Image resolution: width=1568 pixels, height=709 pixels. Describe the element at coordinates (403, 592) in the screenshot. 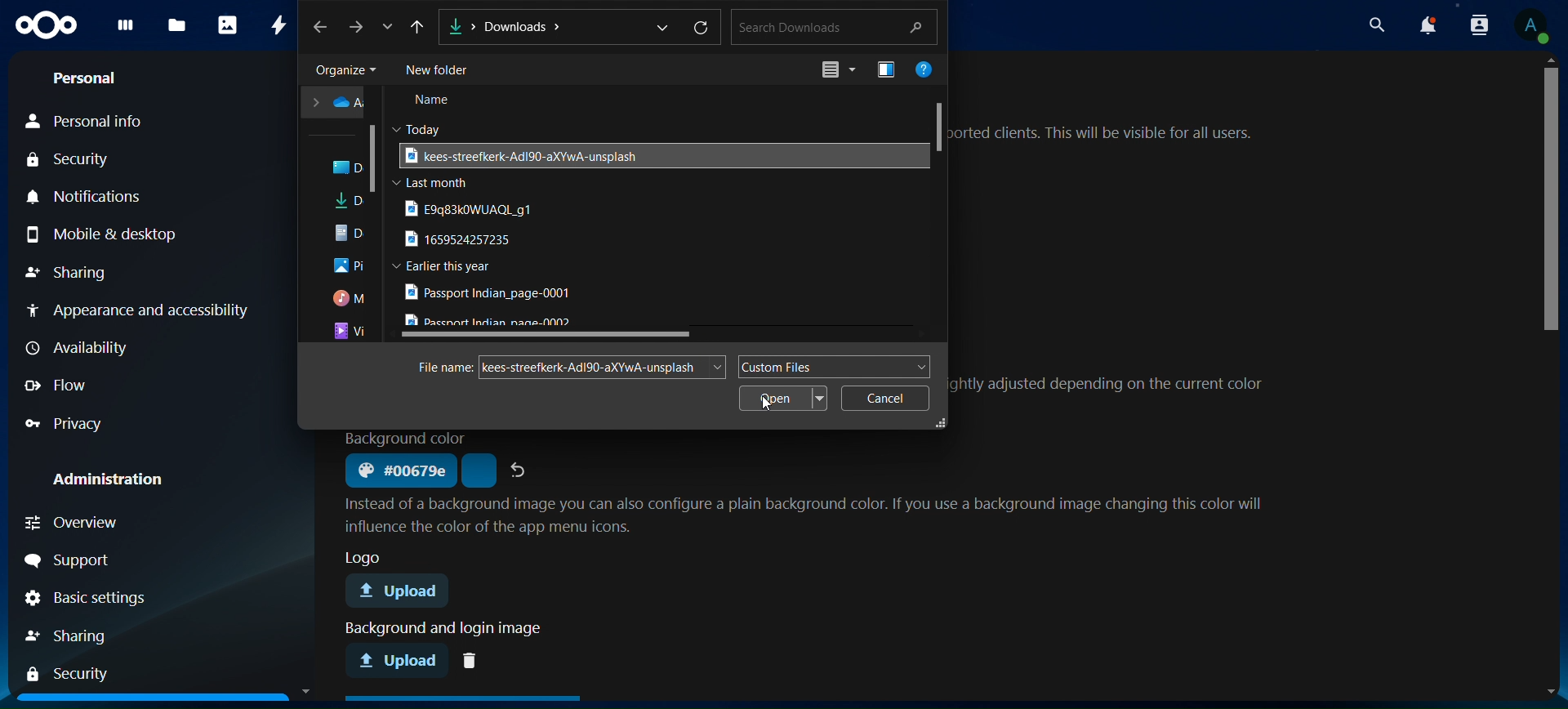

I see `logo upload` at that location.